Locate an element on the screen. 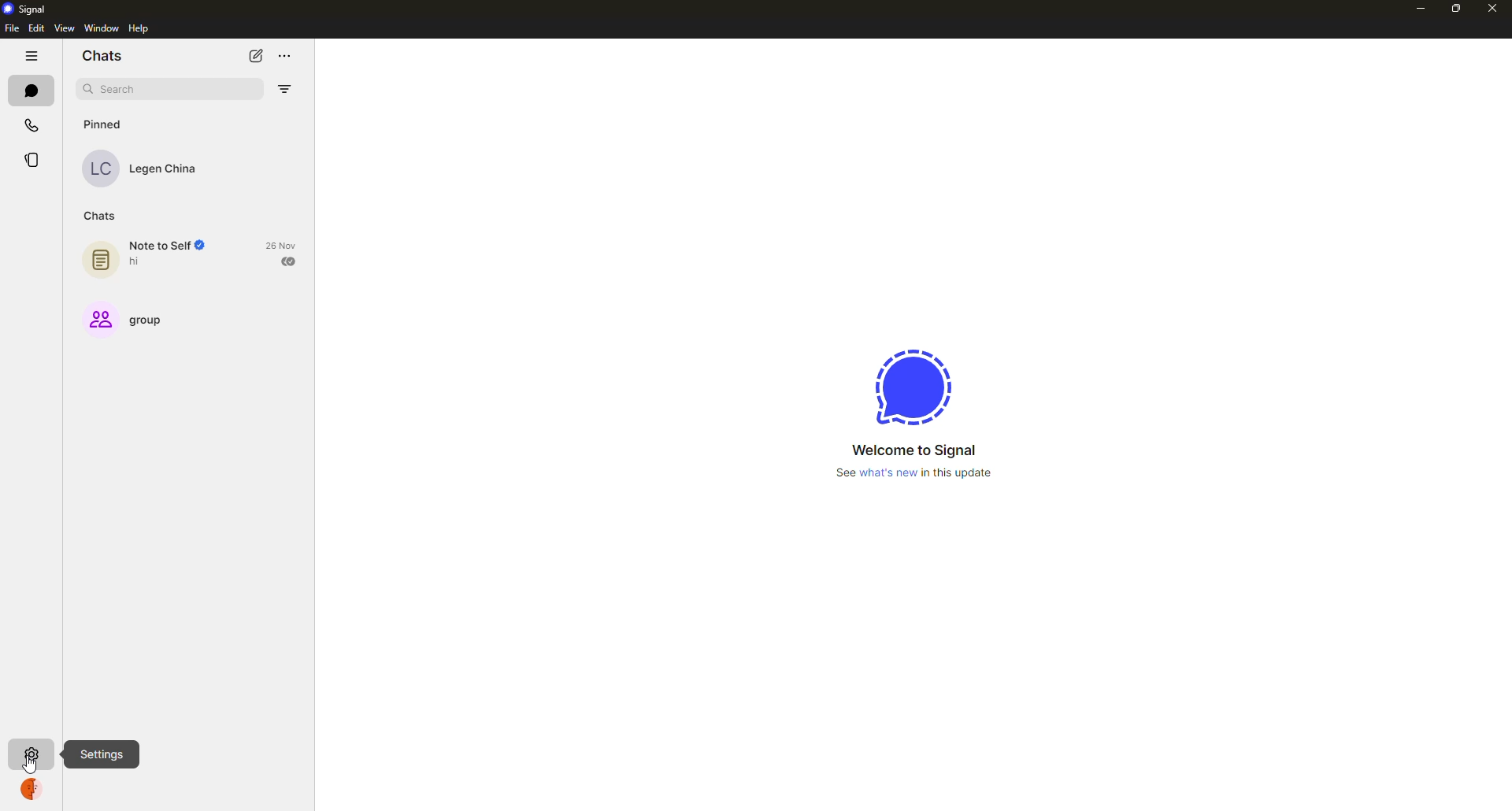 The width and height of the screenshot is (1512, 811). window is located at coordinates (102, 30).